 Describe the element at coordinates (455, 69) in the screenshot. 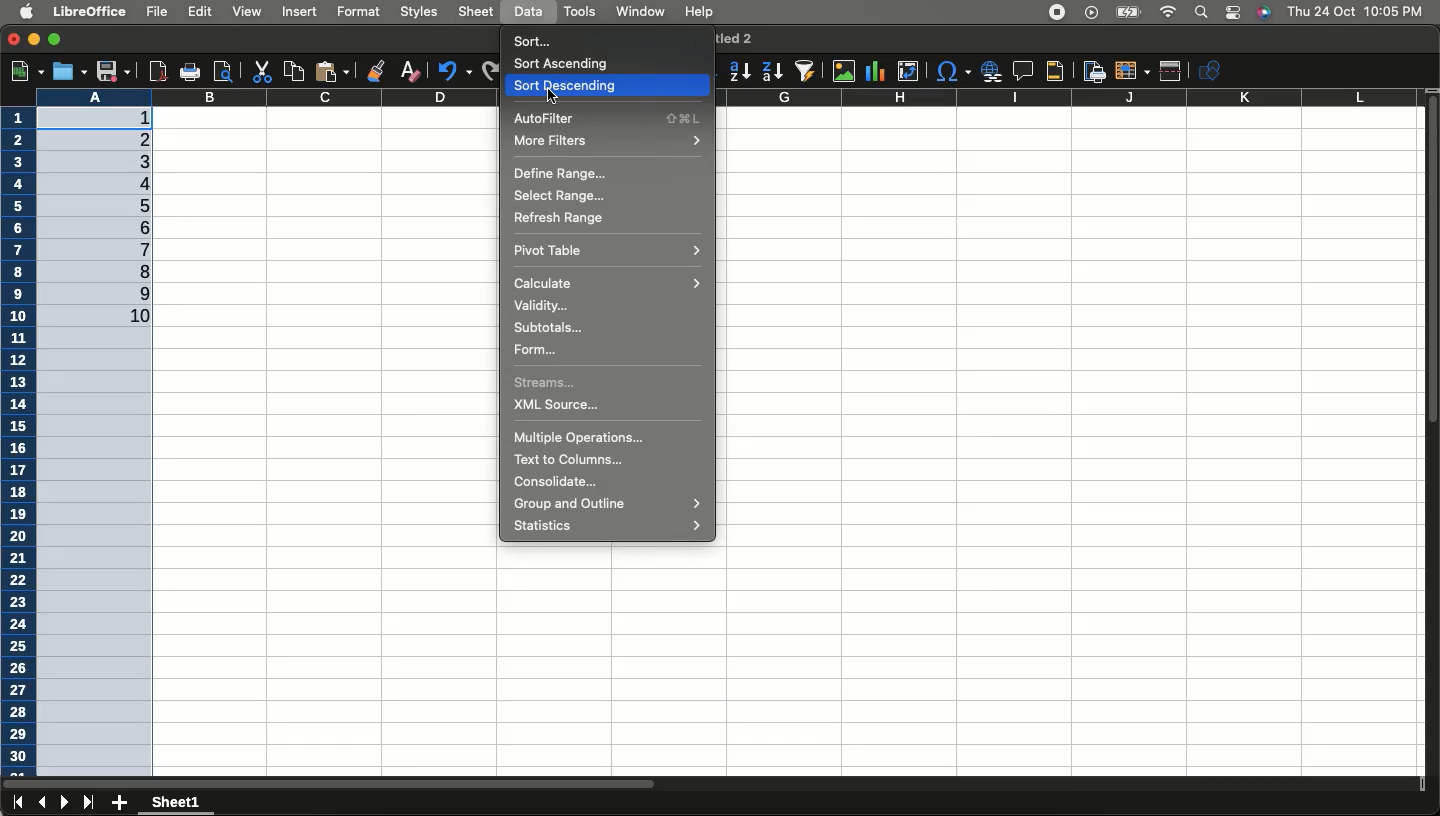

I see `Uno` at that location.